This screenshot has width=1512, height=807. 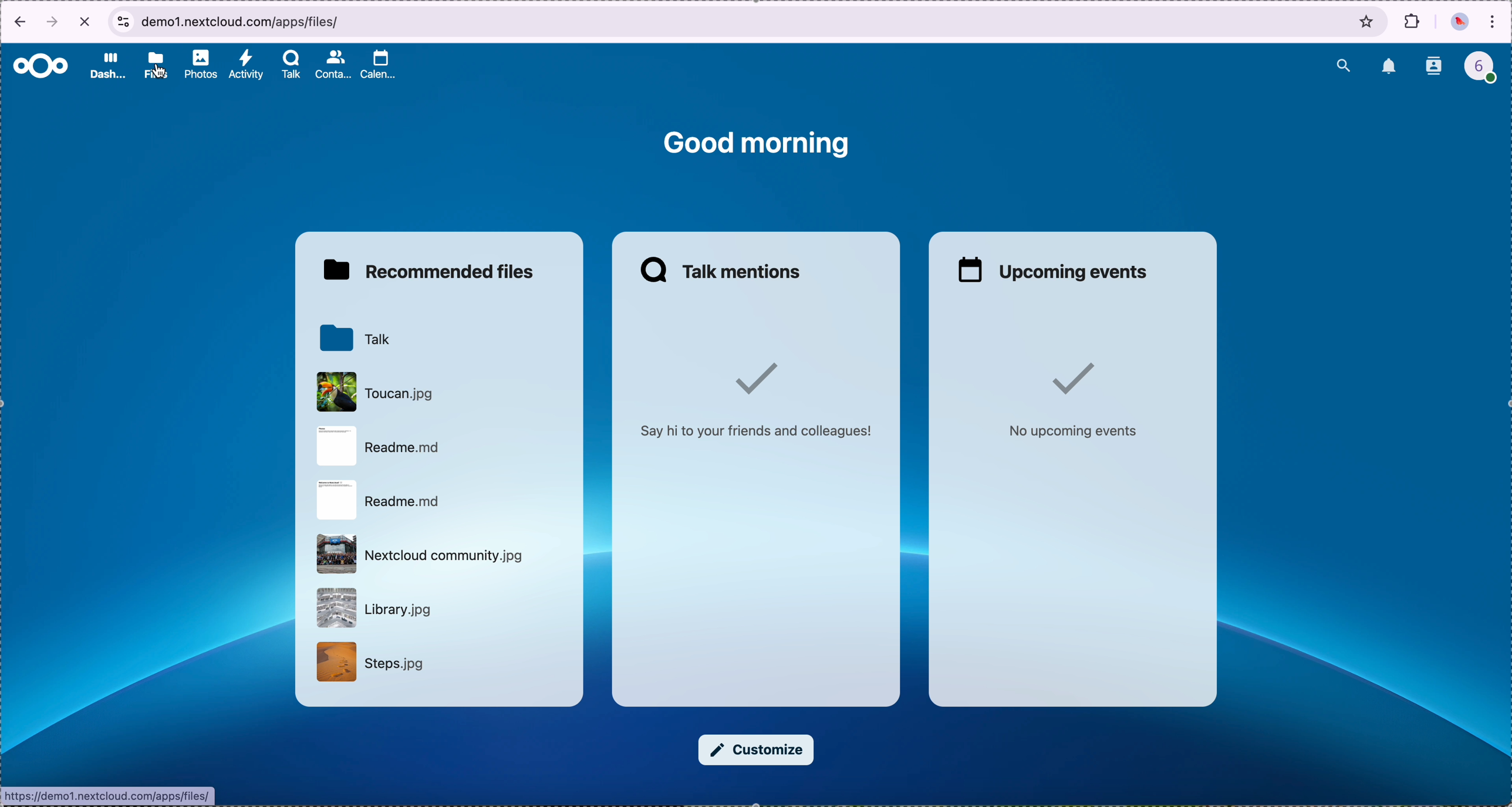 What do you see at coordinates (756, 750) in the screenshot?
I see `customize button` at bounding box center [756, 750].